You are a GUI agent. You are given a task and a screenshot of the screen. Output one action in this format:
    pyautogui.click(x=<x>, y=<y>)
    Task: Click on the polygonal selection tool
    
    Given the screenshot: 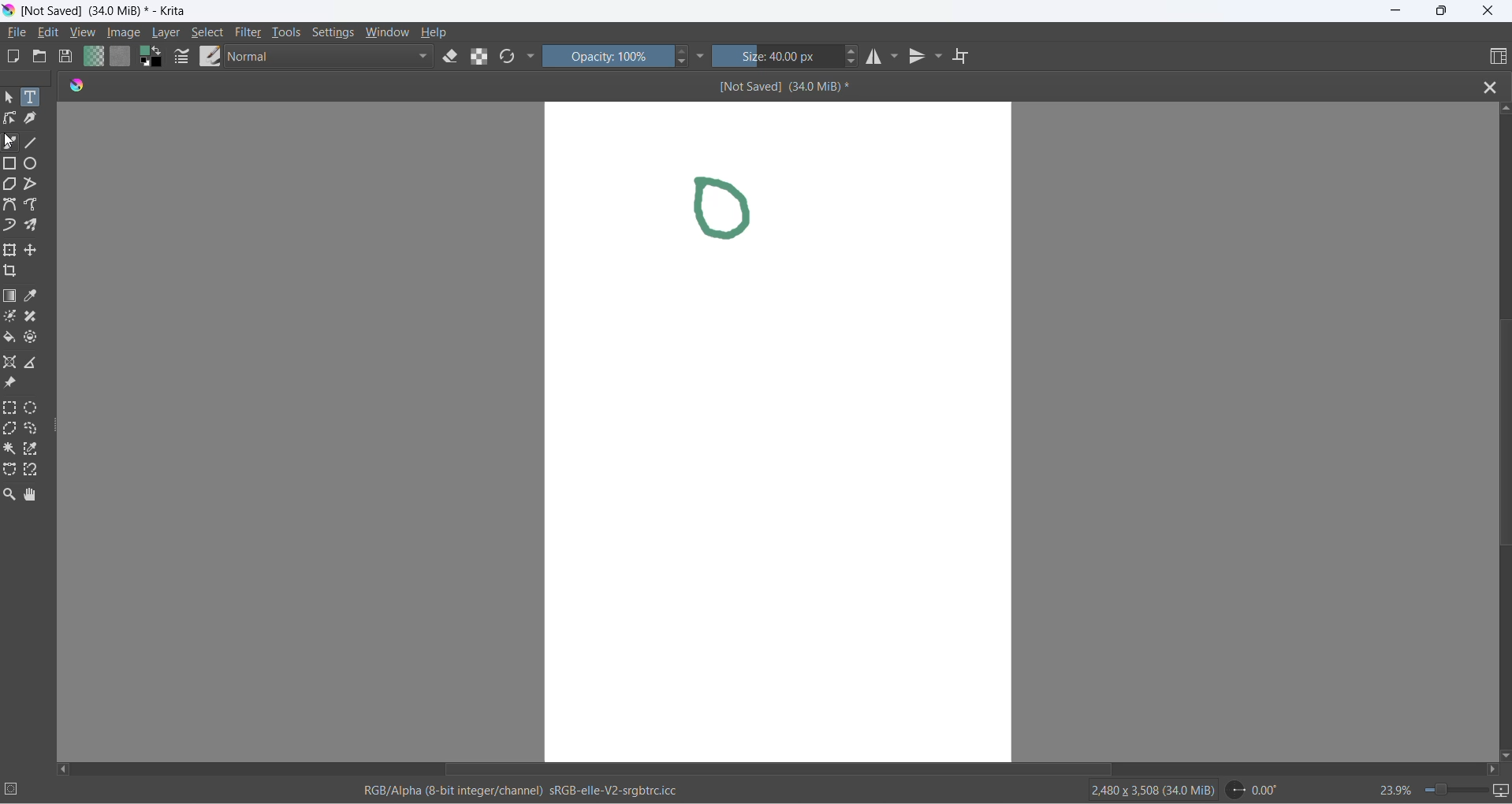 What is the action you would take?
    pyautogui.click(x=10, y=430)
    